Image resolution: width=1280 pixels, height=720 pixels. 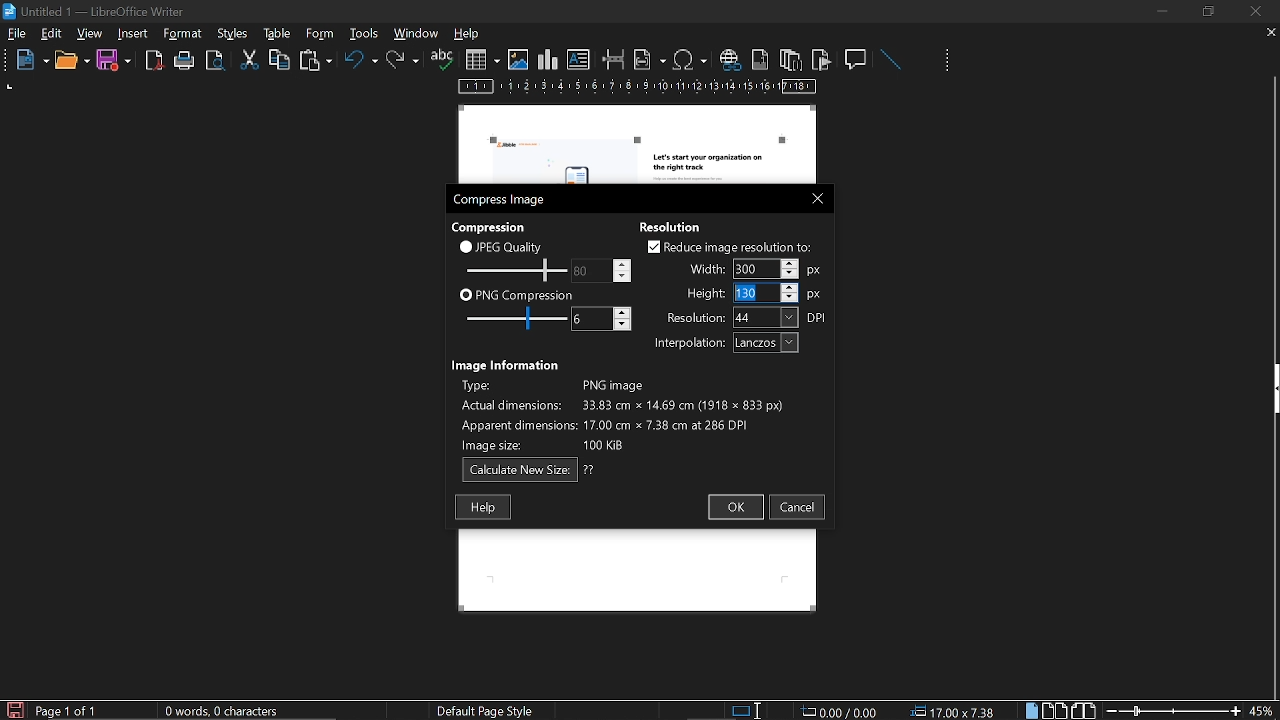 What do you see at coordinates (274, 33) in the screenshot?
I see `styles` at bounding box center [274, 33].